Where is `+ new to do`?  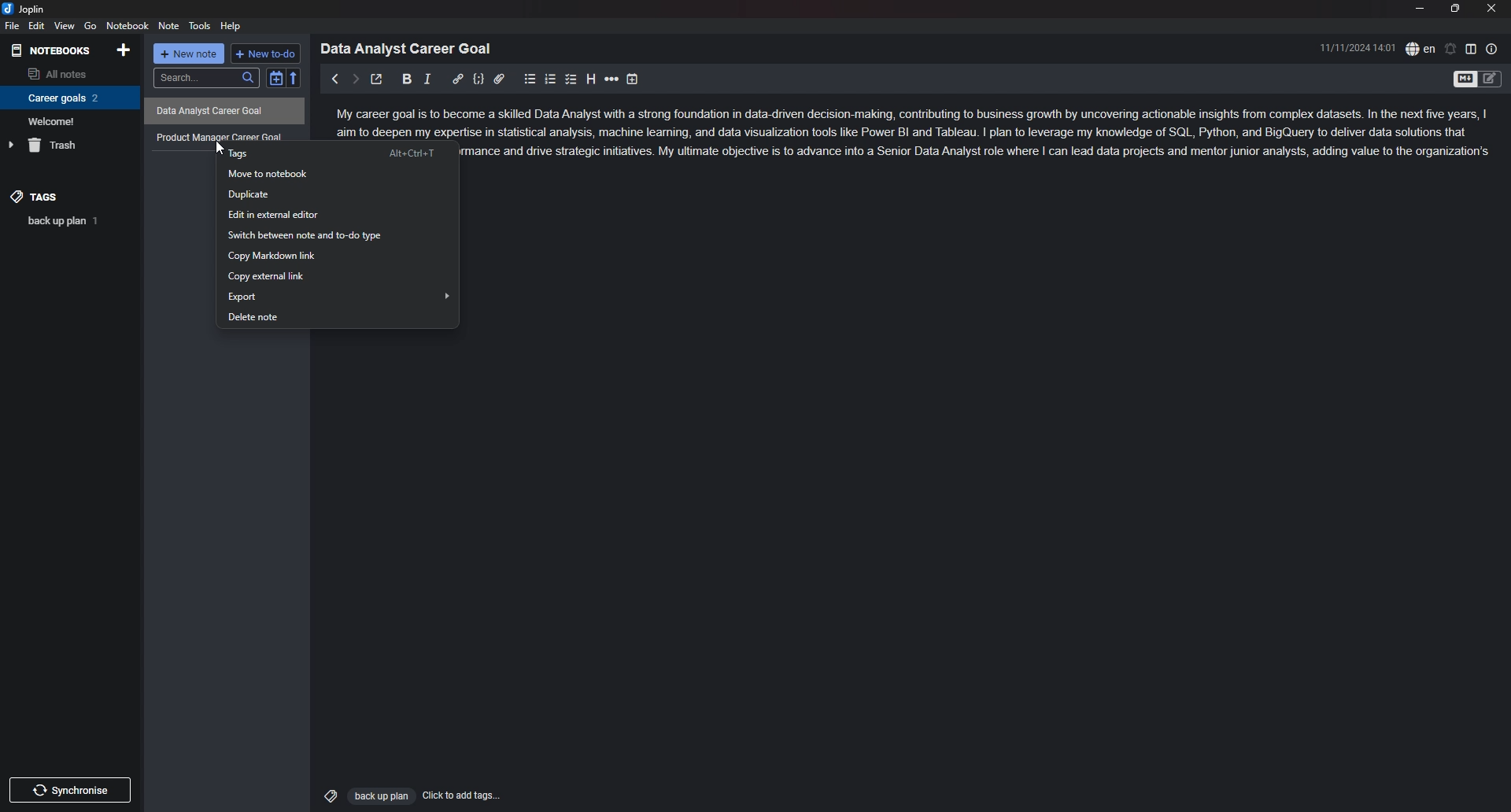
+ new to do is located at coordinates (264, 54).